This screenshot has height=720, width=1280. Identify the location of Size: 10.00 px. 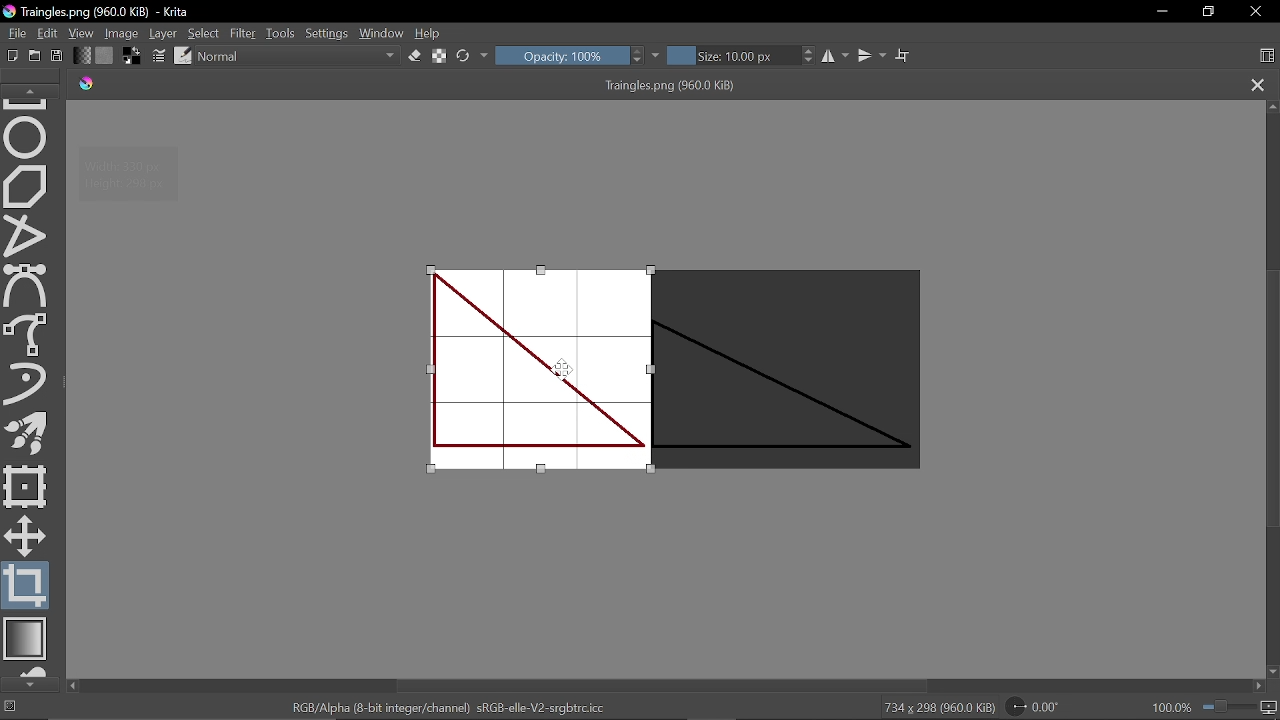
(734, 56).